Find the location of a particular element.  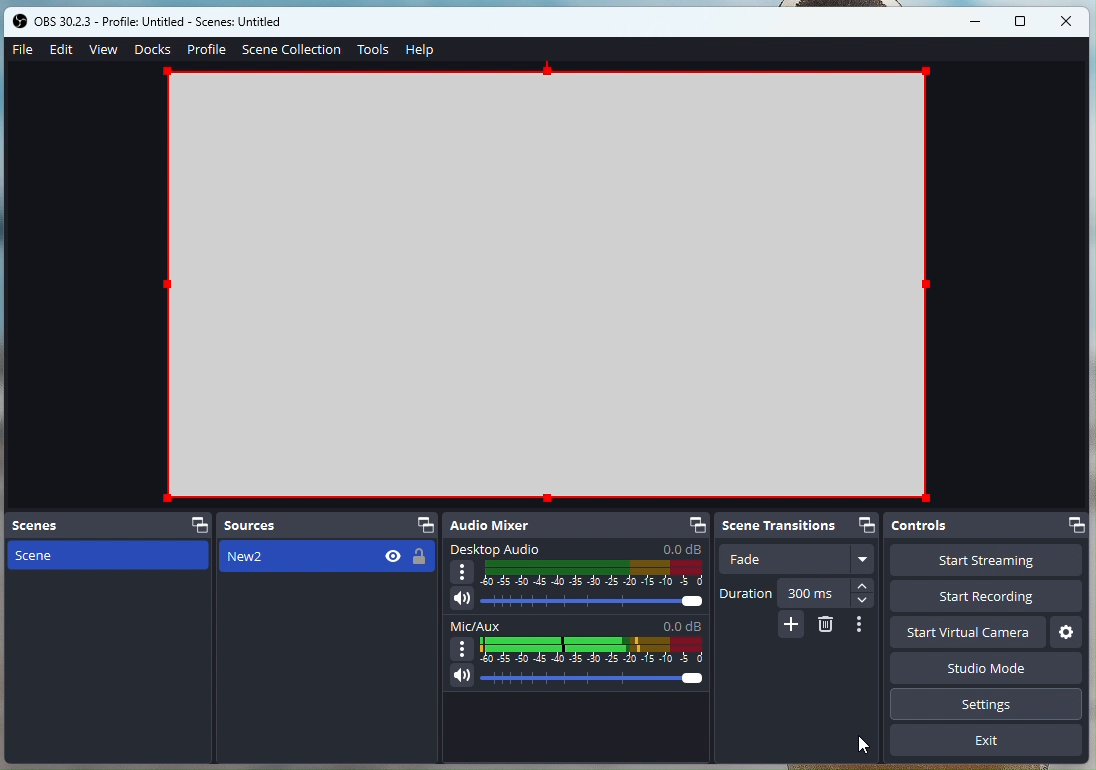

More options is located at coordinates (864, 559).